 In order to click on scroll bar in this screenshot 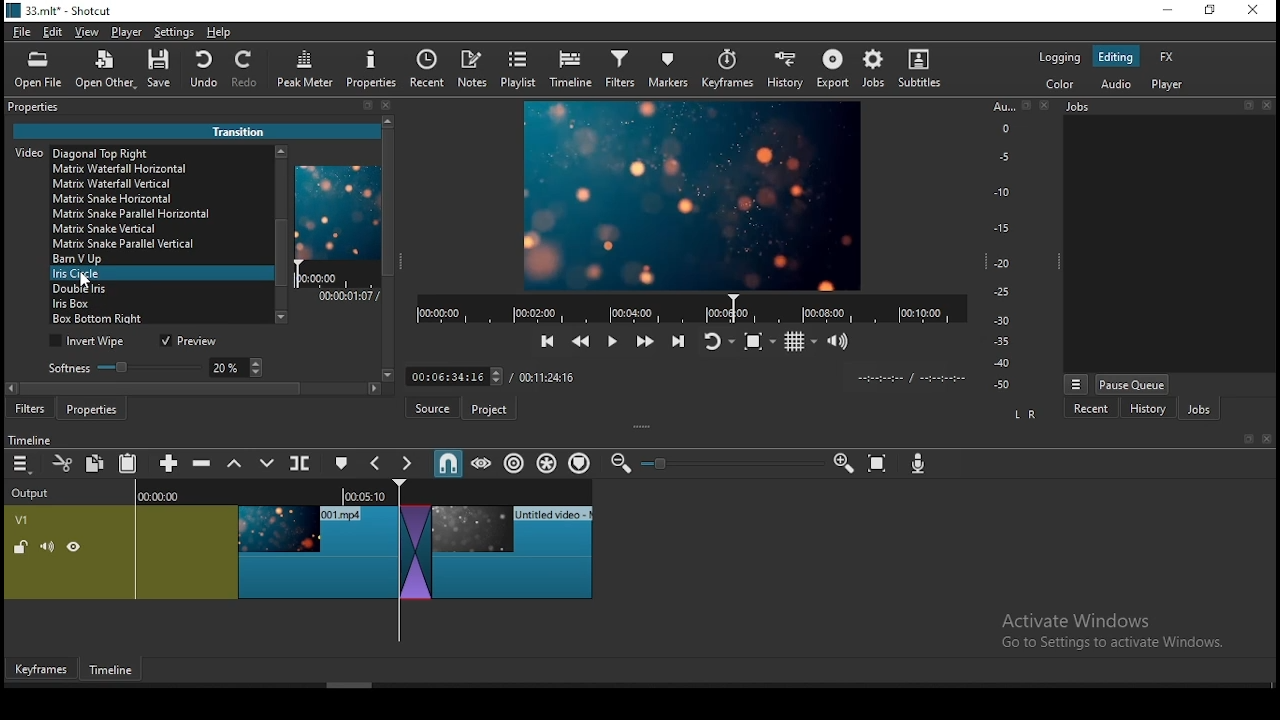, I will do `click(277, 233)`.